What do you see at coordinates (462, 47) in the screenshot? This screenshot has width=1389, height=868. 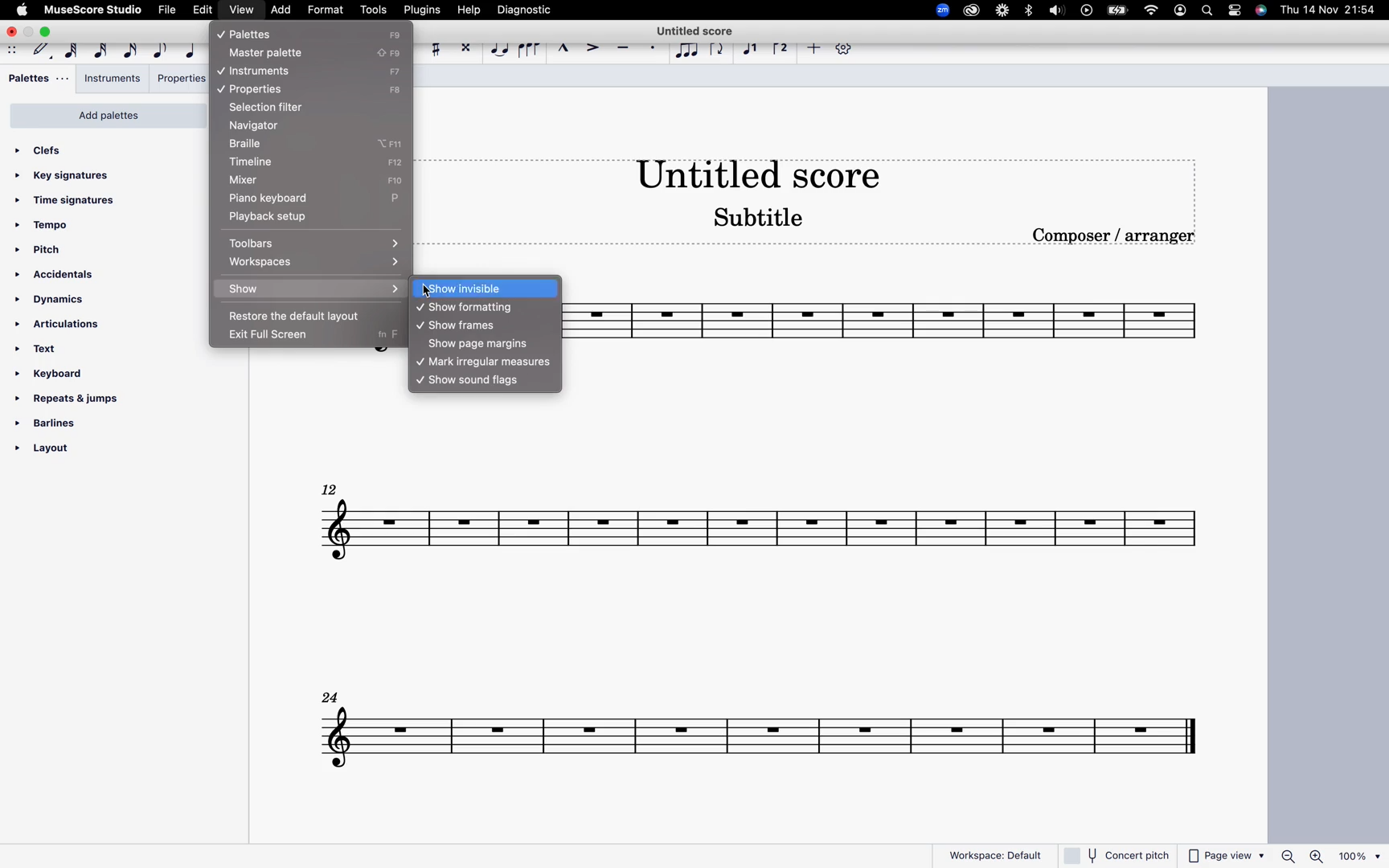 I see `toggle double sharp` at bounding box center [462, 47].